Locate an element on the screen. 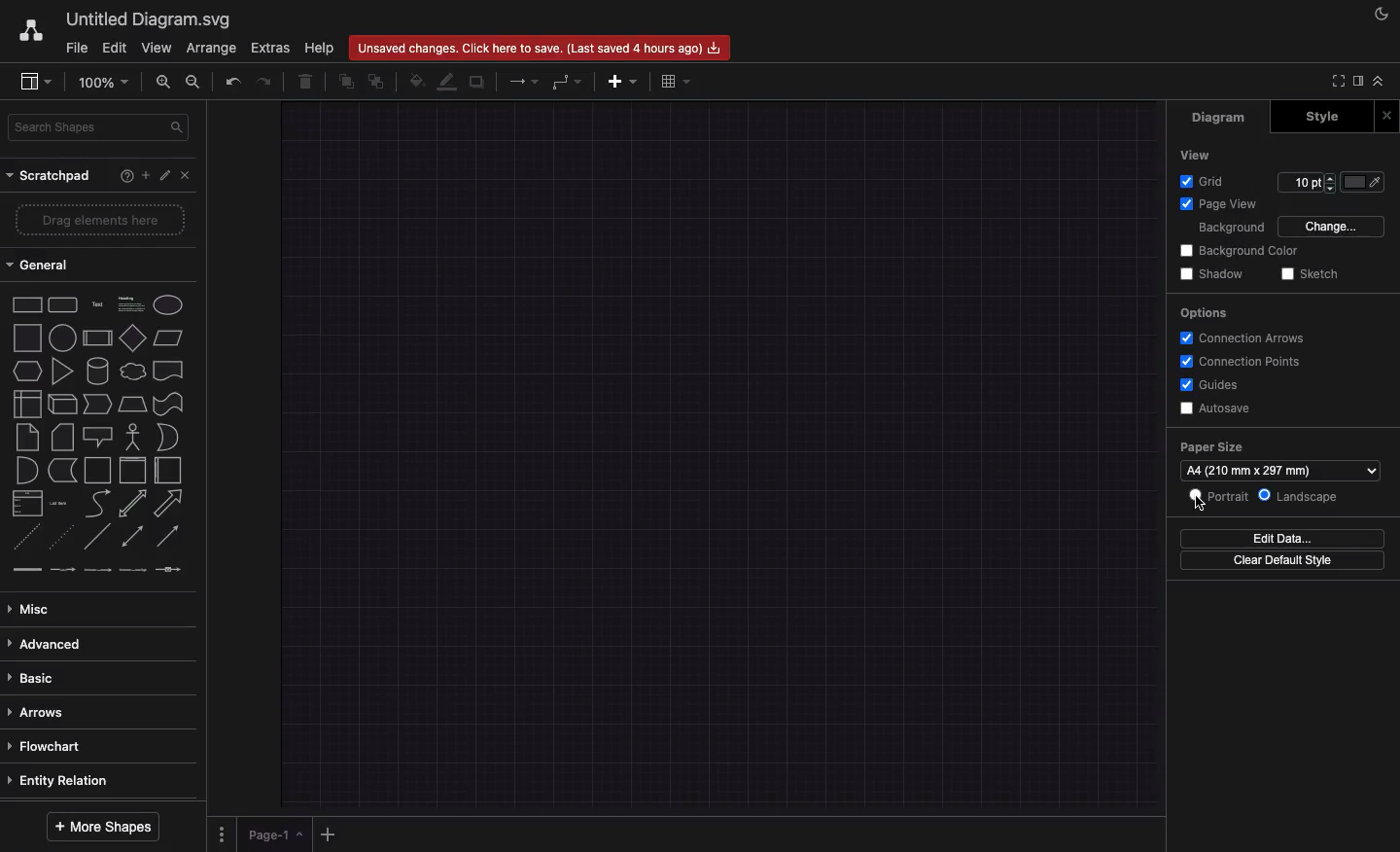  Close is located at coordinates (188, 178).